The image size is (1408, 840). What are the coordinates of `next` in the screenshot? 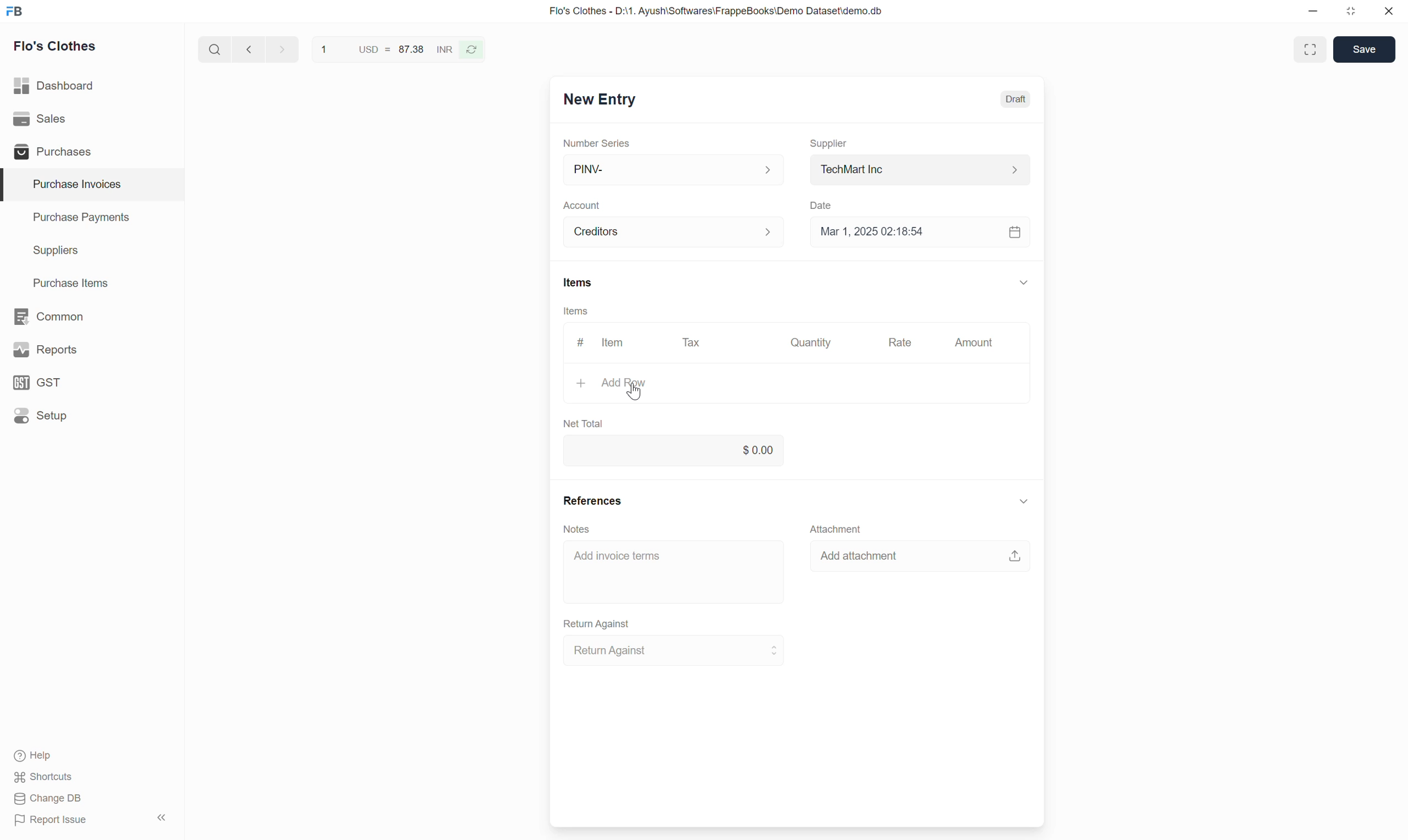 It's located at (284, 49).